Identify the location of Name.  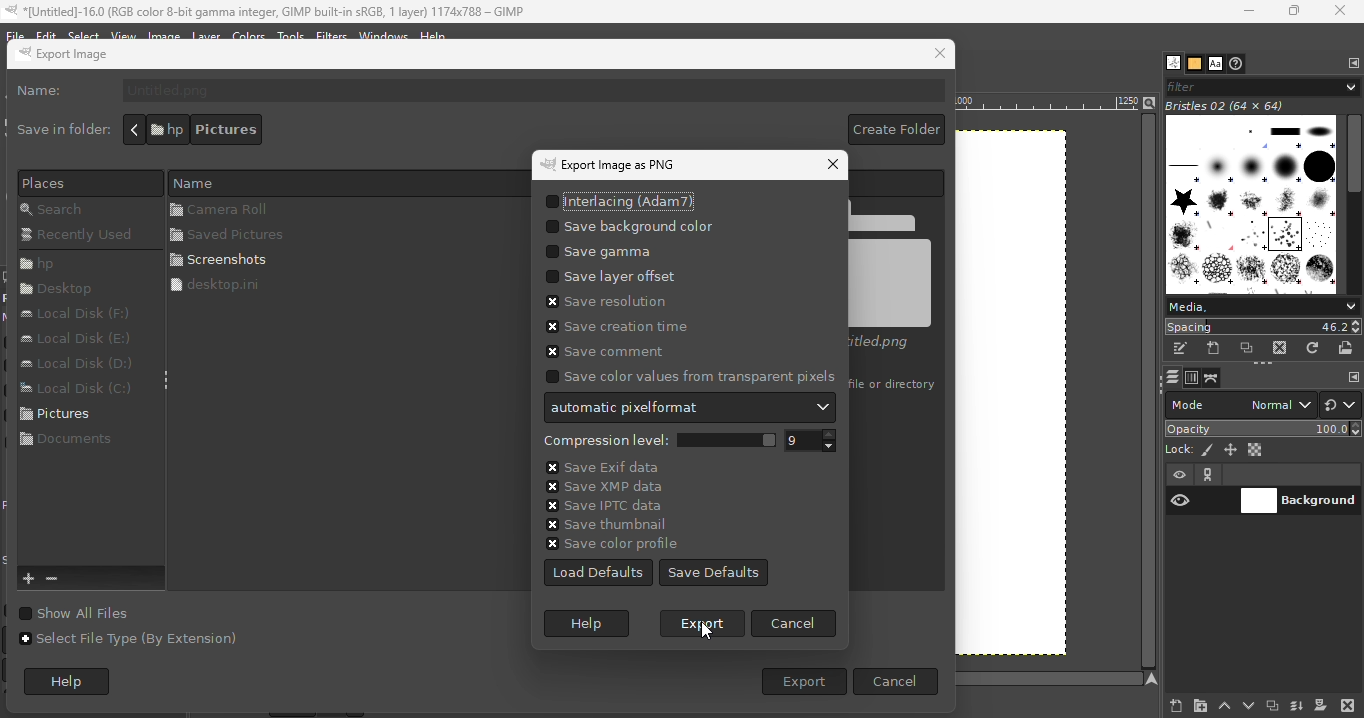
(337, 181).